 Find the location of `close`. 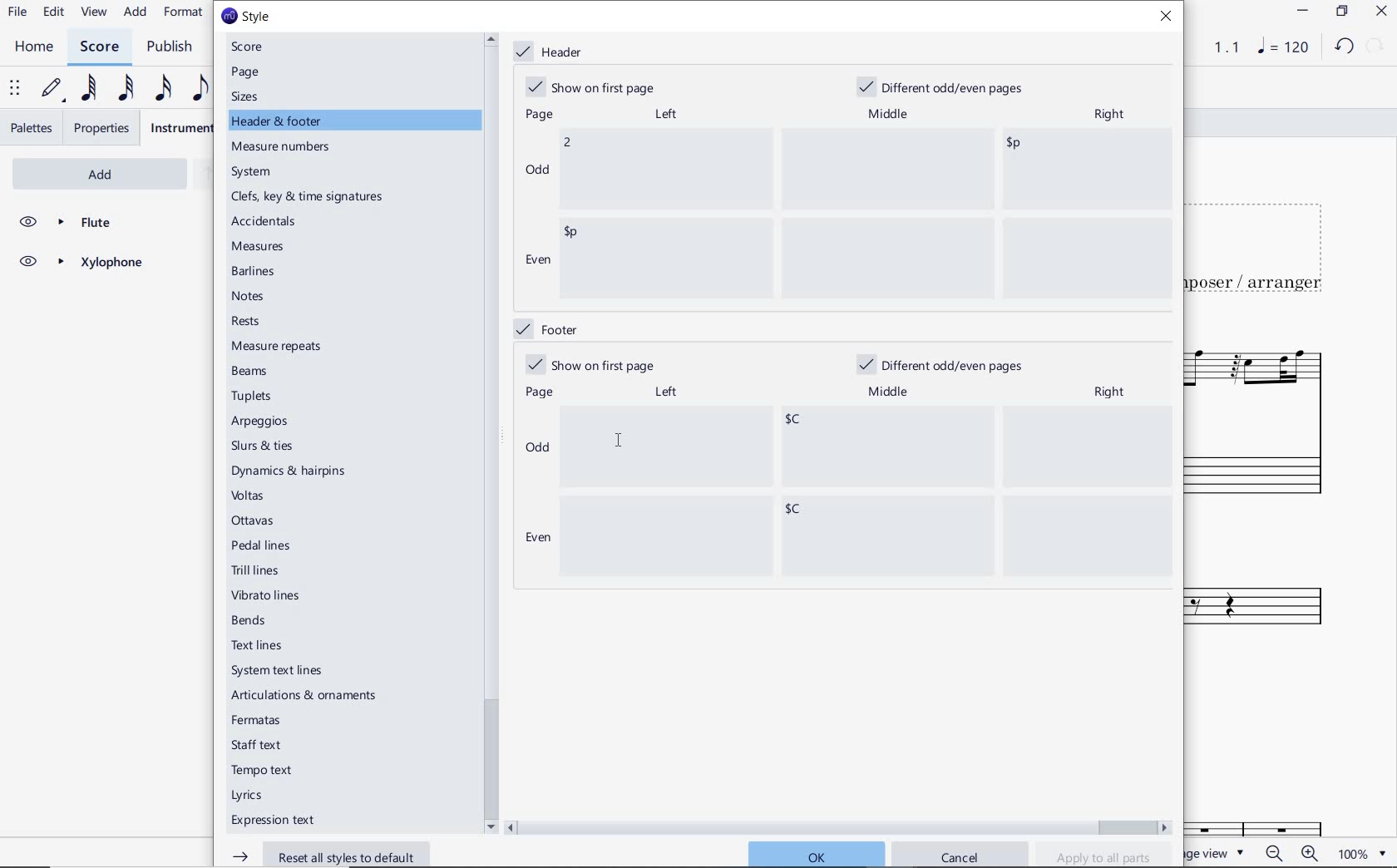

close is located at coordinates (1170, 18).